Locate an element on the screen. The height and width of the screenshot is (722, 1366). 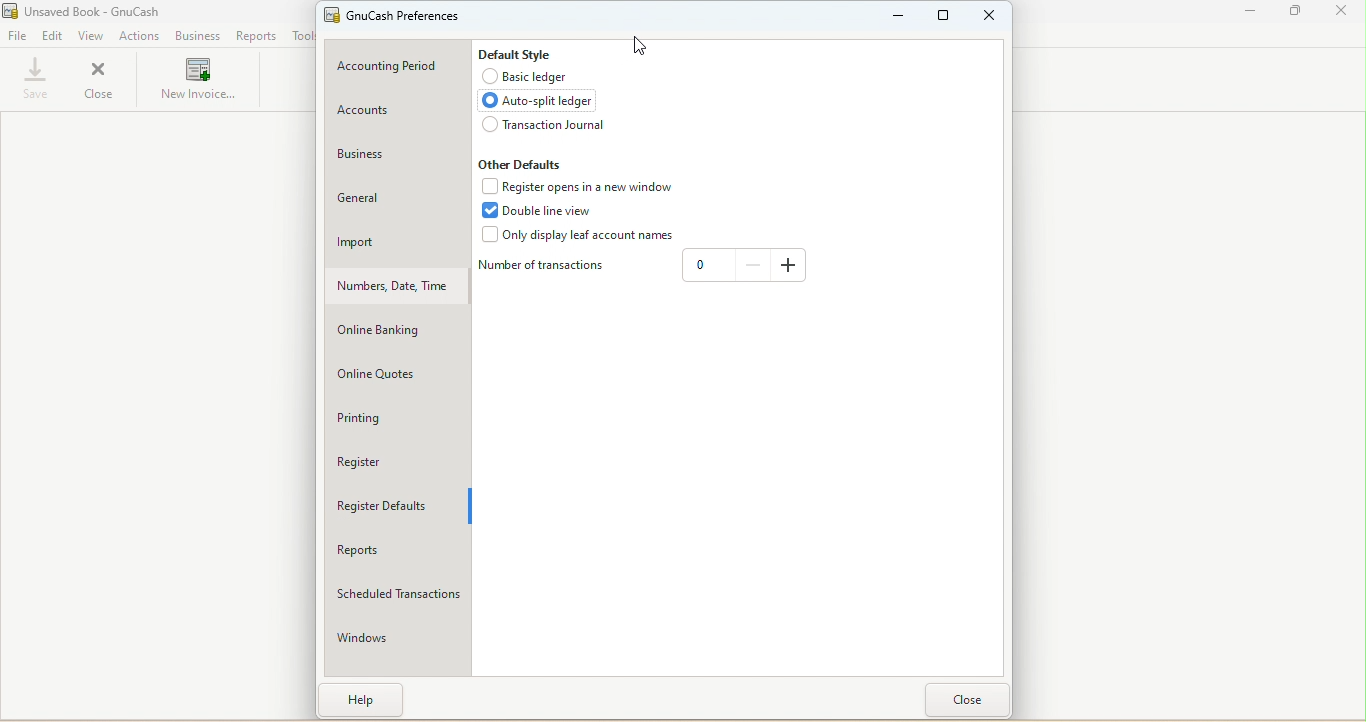
Register is located at coordinates (394, 460).